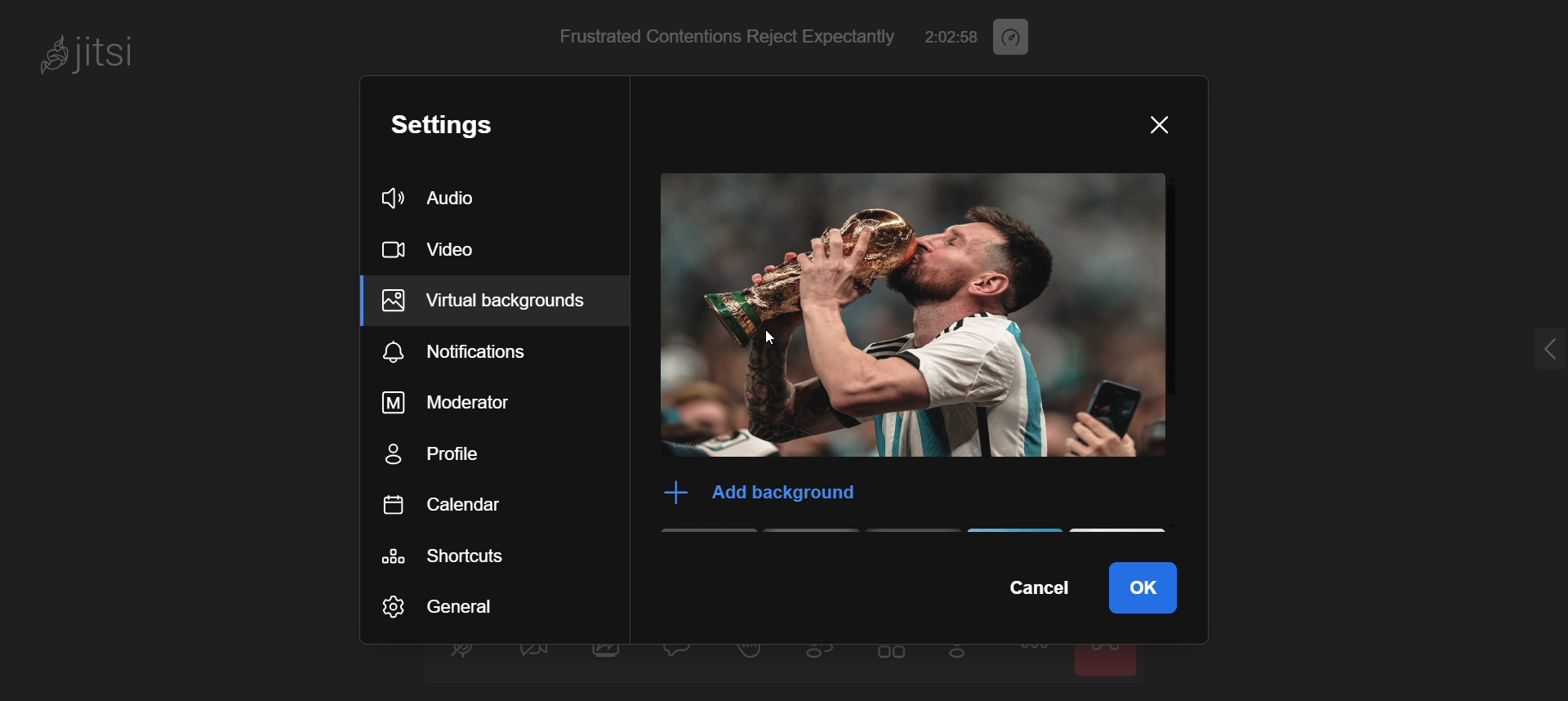 The height and width of the screenshot is (701, 1568). Describe the element at coordinates (924, 534) in the screenshot. I see `pre loaded screen backgrounds` at that location.